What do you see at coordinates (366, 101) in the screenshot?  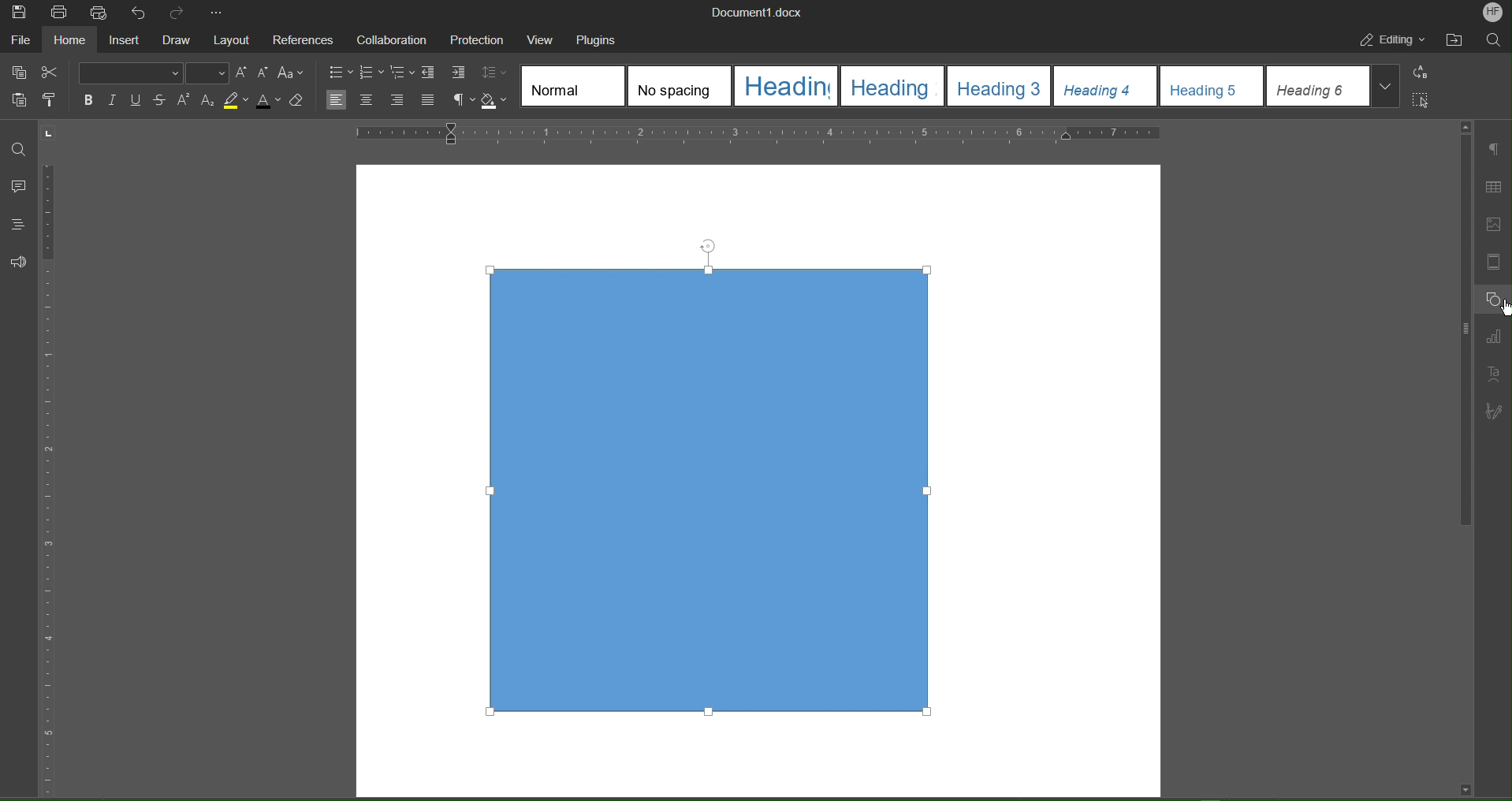 I see `Centre Align` at bounding box center [366, 101].